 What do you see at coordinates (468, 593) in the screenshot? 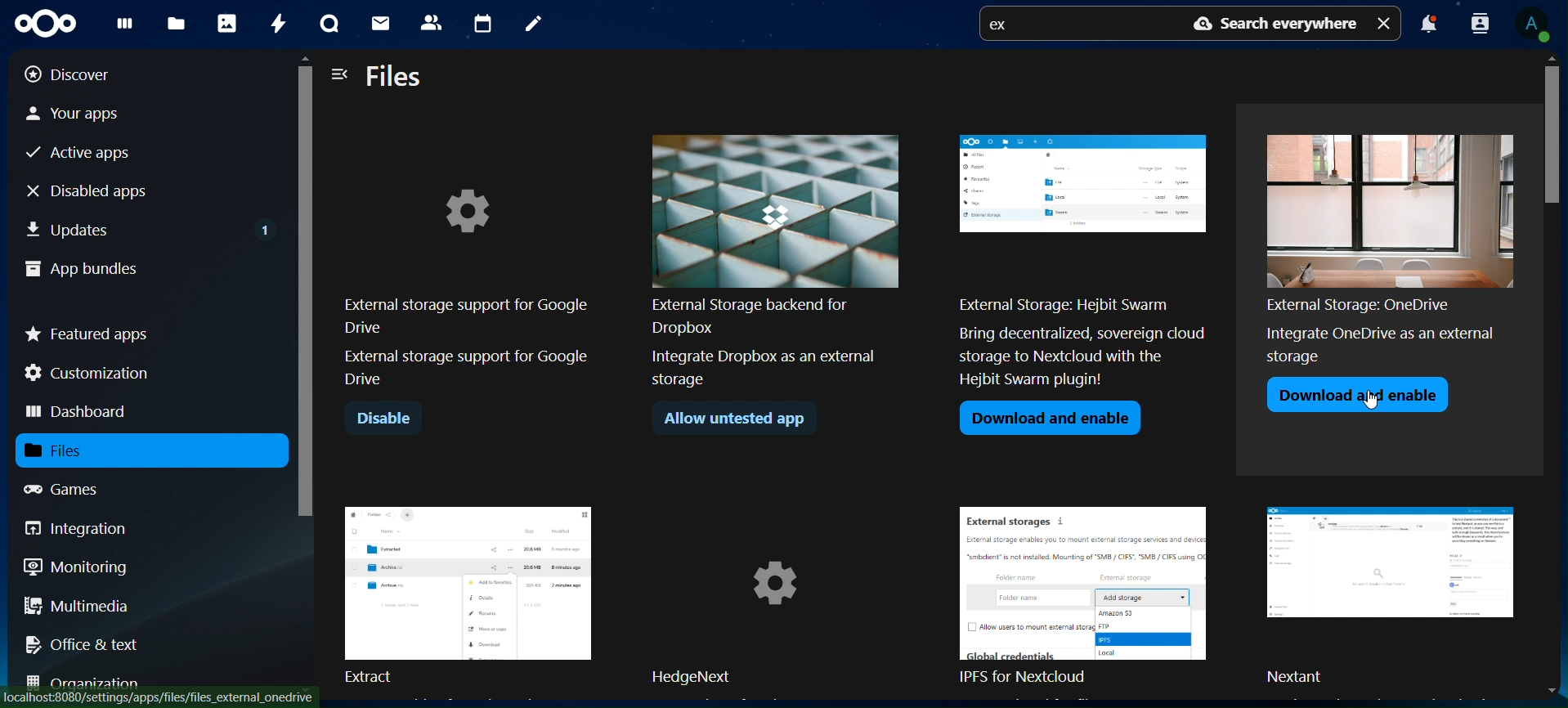
I see `extract` at bounding box center [468, 593].